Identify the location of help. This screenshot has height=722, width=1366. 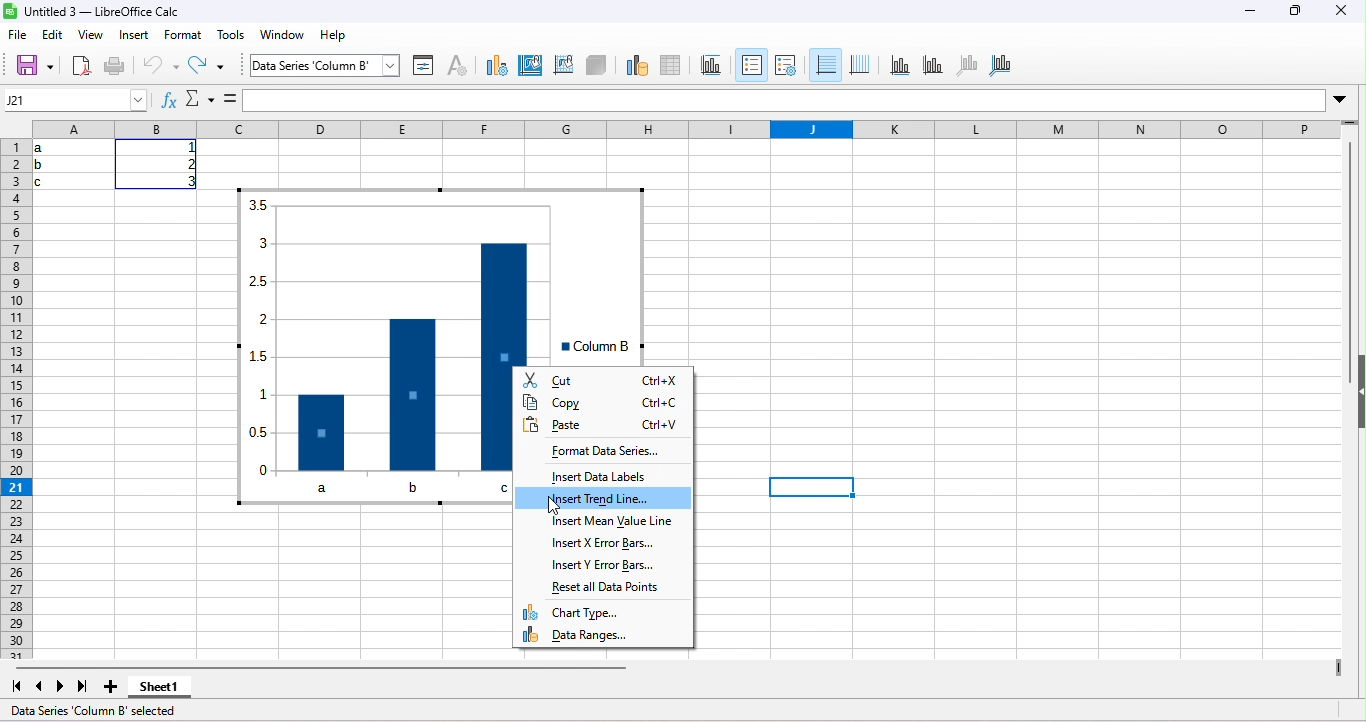
(339, 36).